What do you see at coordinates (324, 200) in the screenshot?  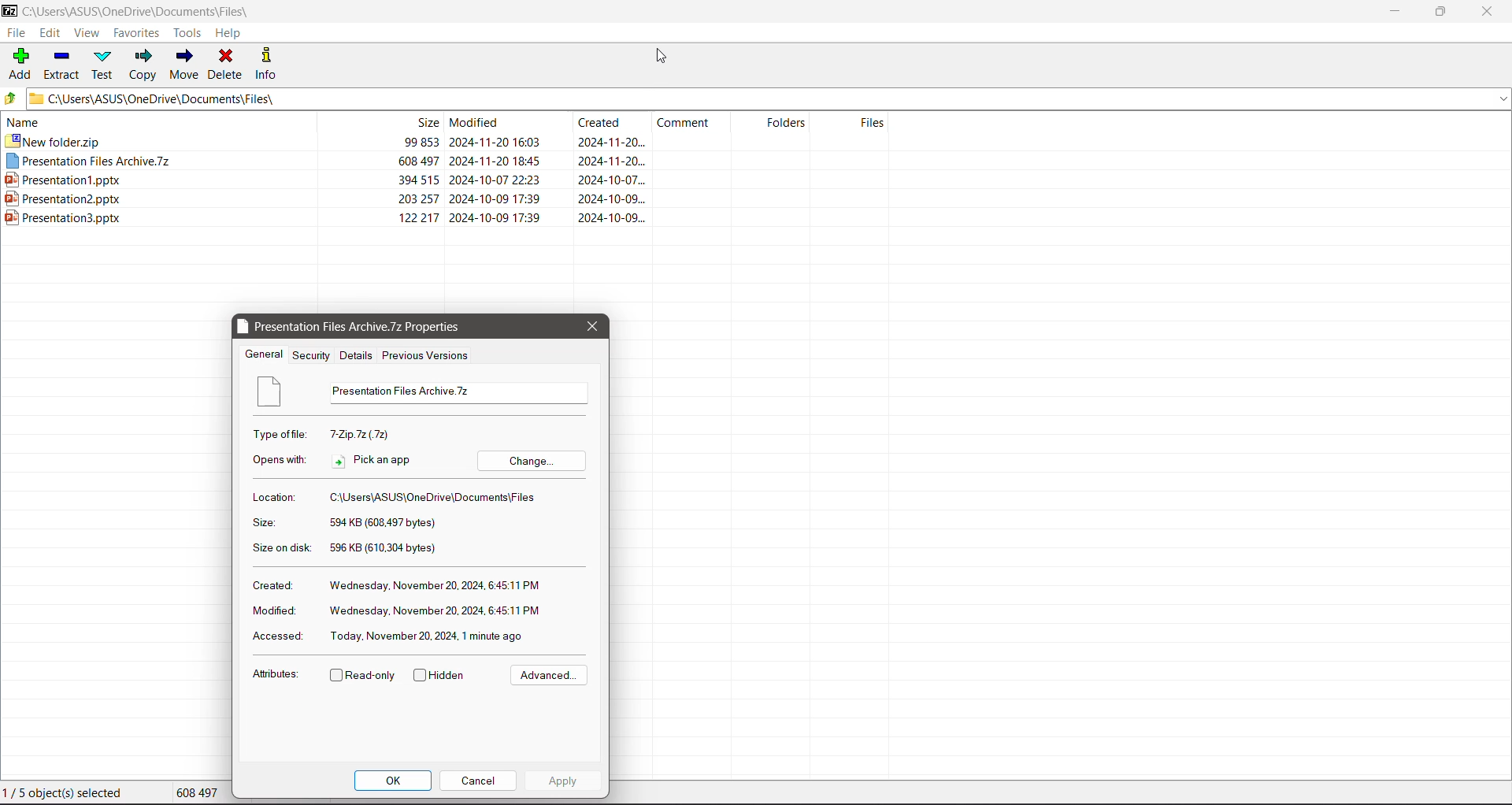 I see ` Presentation2.pptx 203 257 2024-10-09 17:39 2024-10-09.` at bounding box center [324, 200].